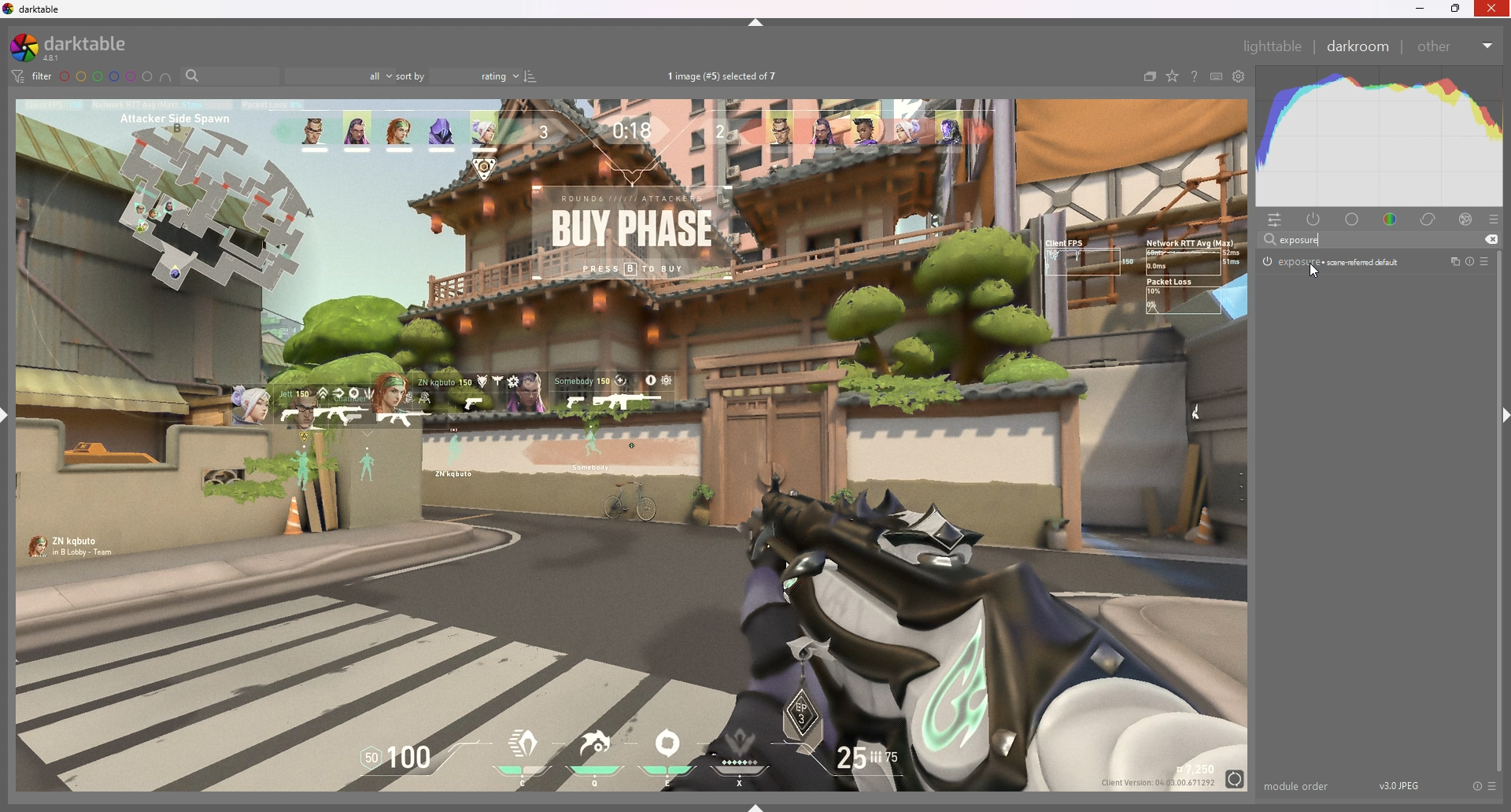  I want to click on collapse grouped images, so click(1149, 78).